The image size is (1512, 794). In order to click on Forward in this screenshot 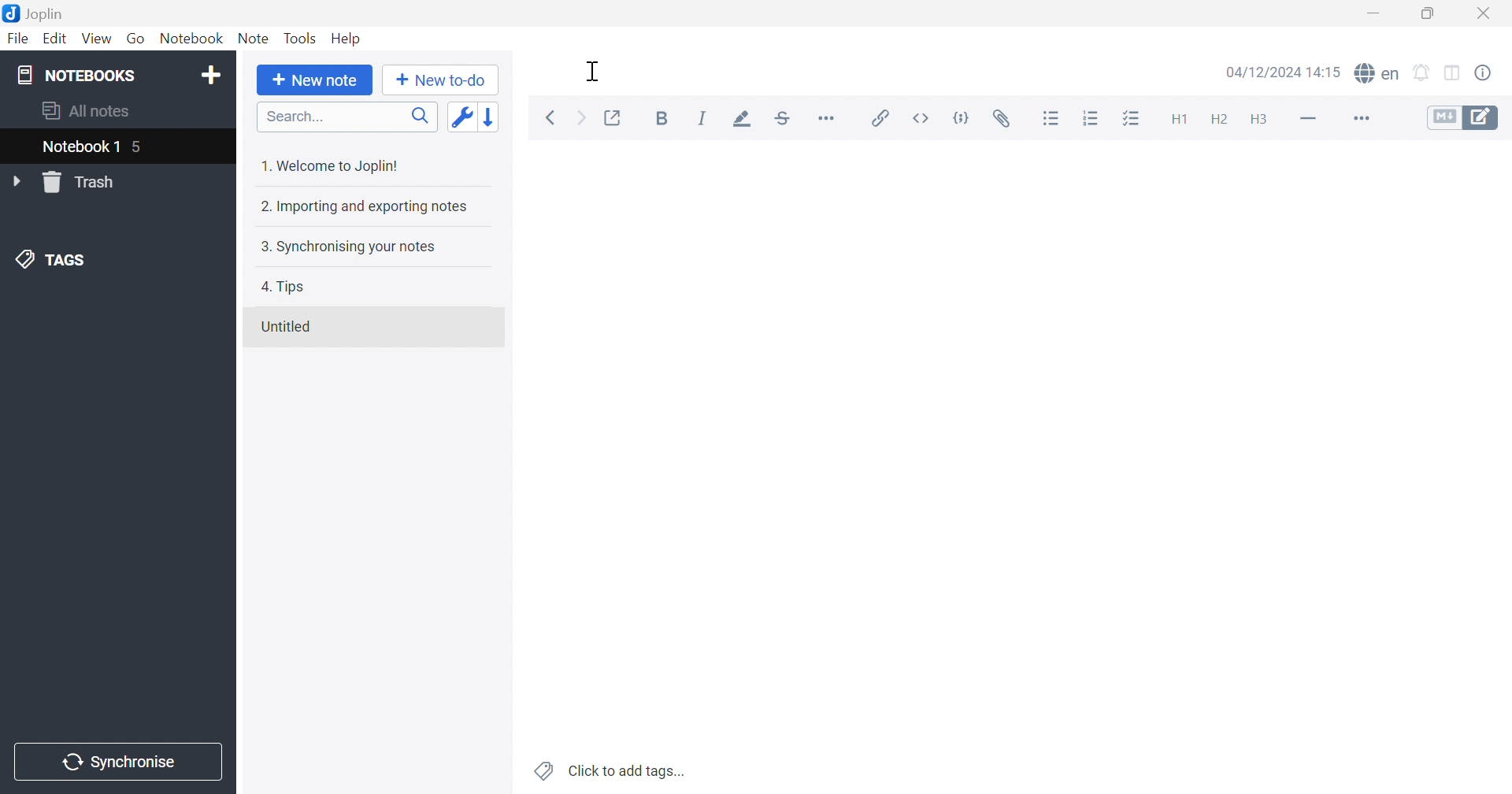, I will do `click(582, 120)`.